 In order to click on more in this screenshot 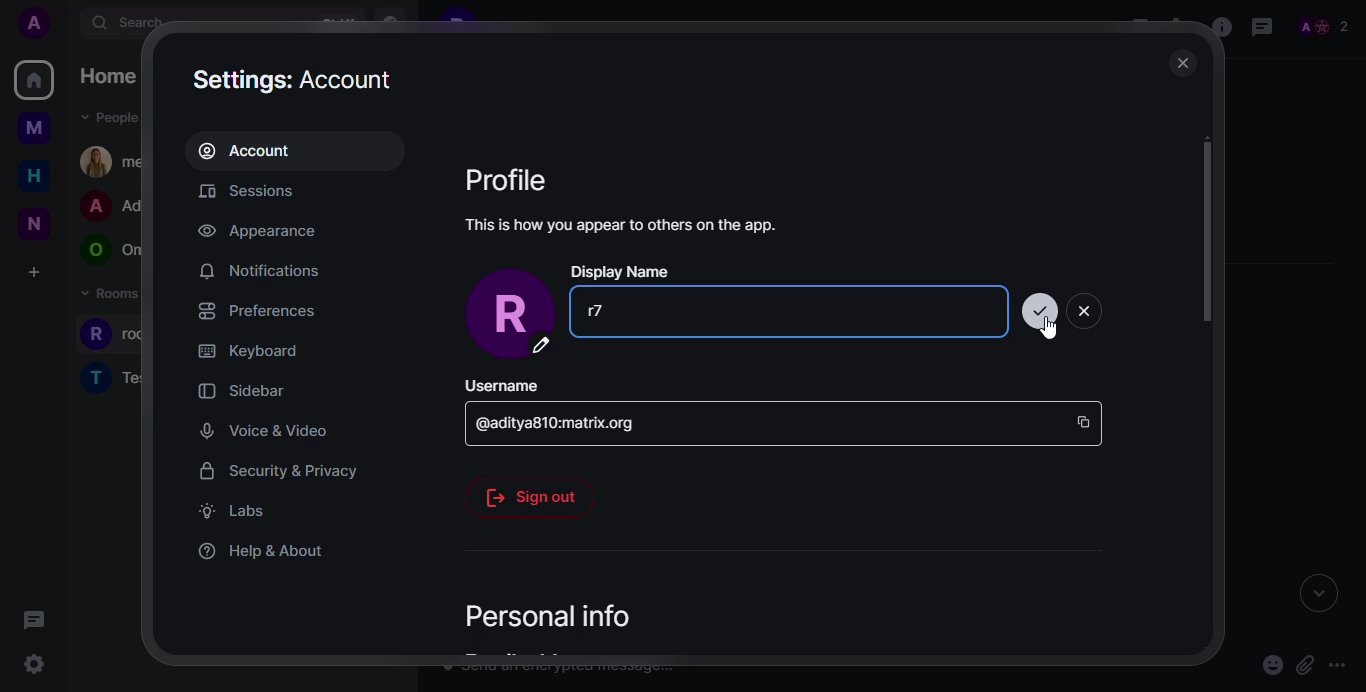, I will do `click(1340, 663)`.